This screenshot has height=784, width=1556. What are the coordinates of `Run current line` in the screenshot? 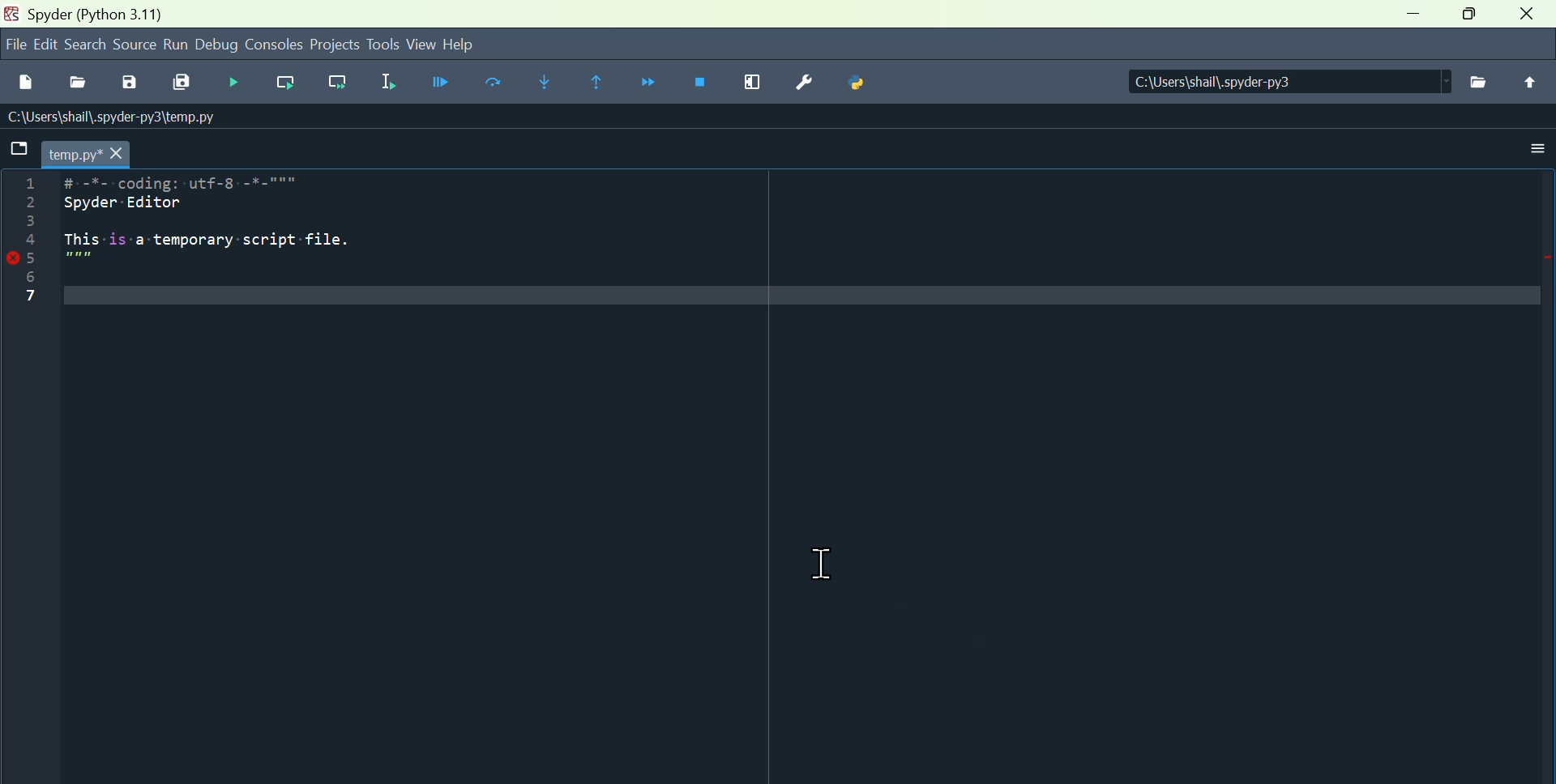 It's located at (289, 83).